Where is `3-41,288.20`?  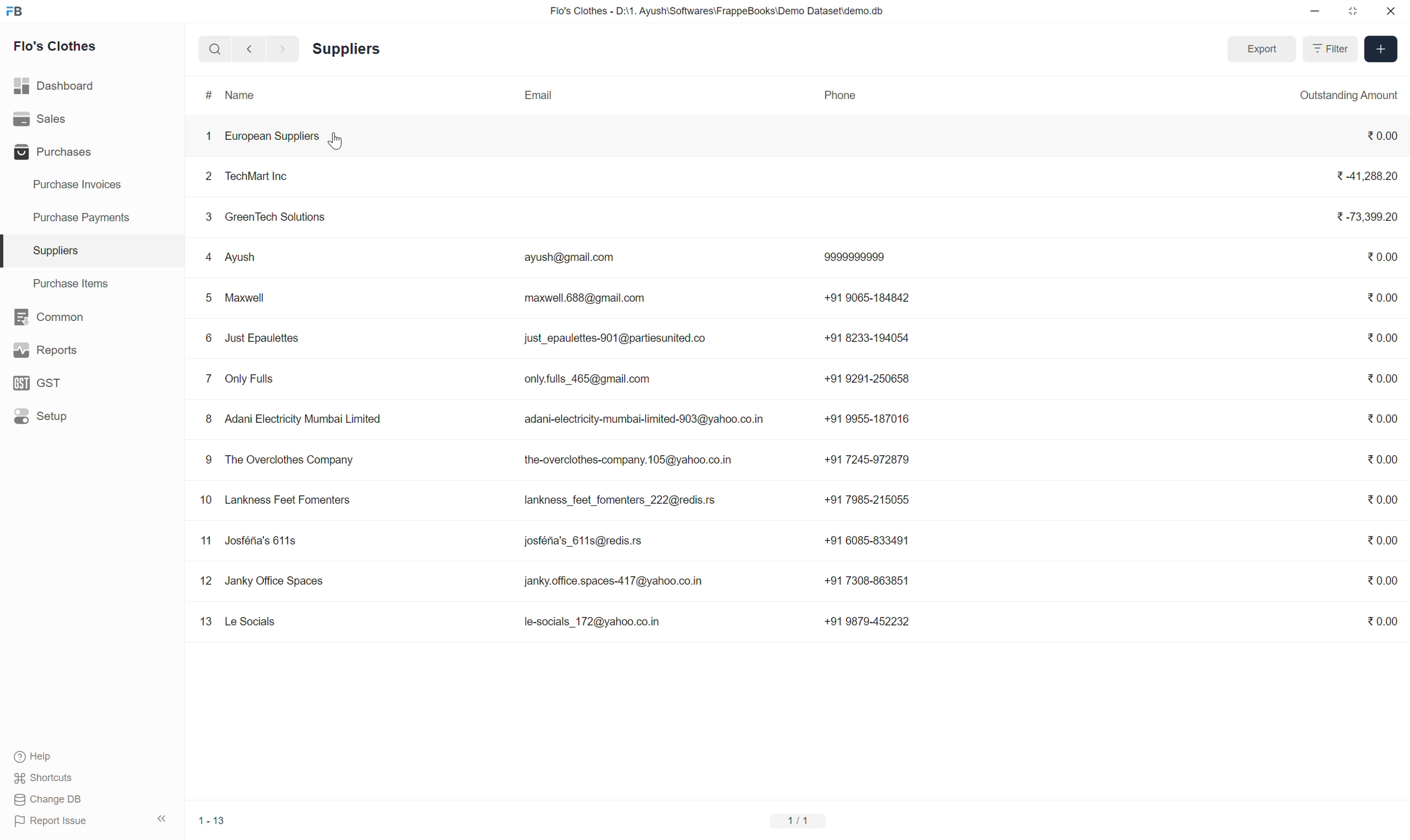 3-41,288.20 is located at coordinates (1362, 177).